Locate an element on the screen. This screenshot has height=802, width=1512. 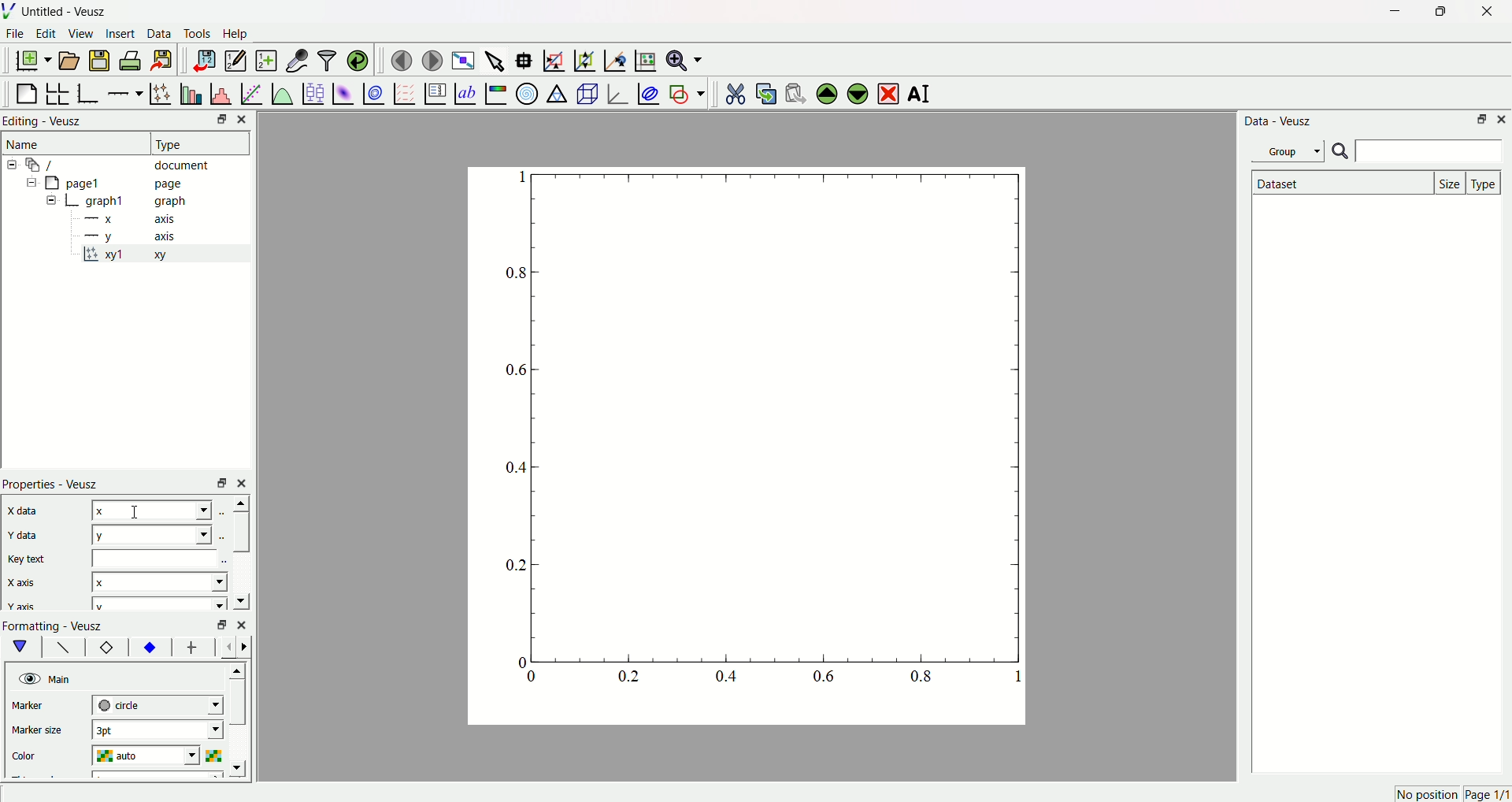
move right is located at coordinates (248, 646).